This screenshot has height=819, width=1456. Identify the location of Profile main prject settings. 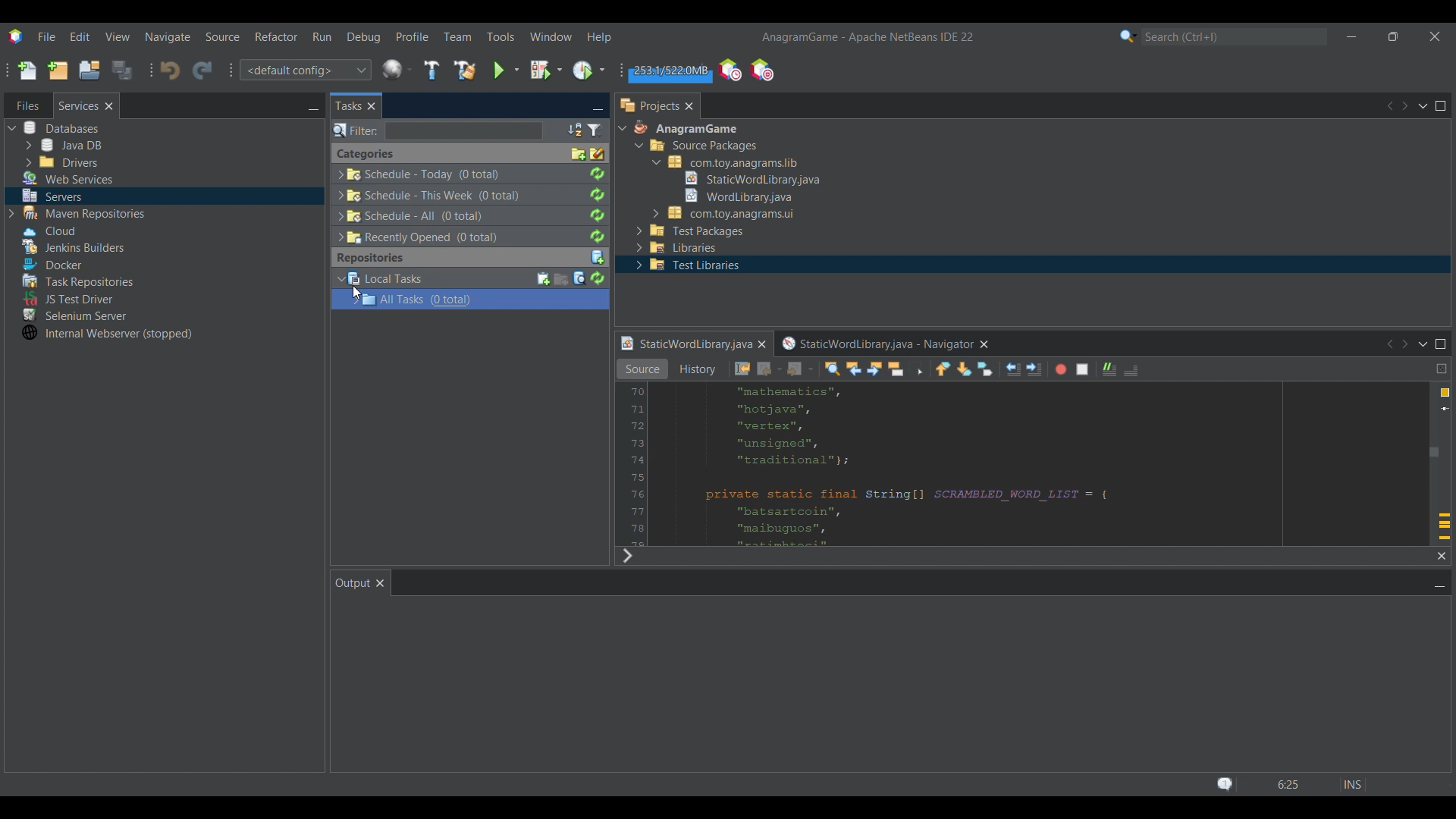
(590, 70).